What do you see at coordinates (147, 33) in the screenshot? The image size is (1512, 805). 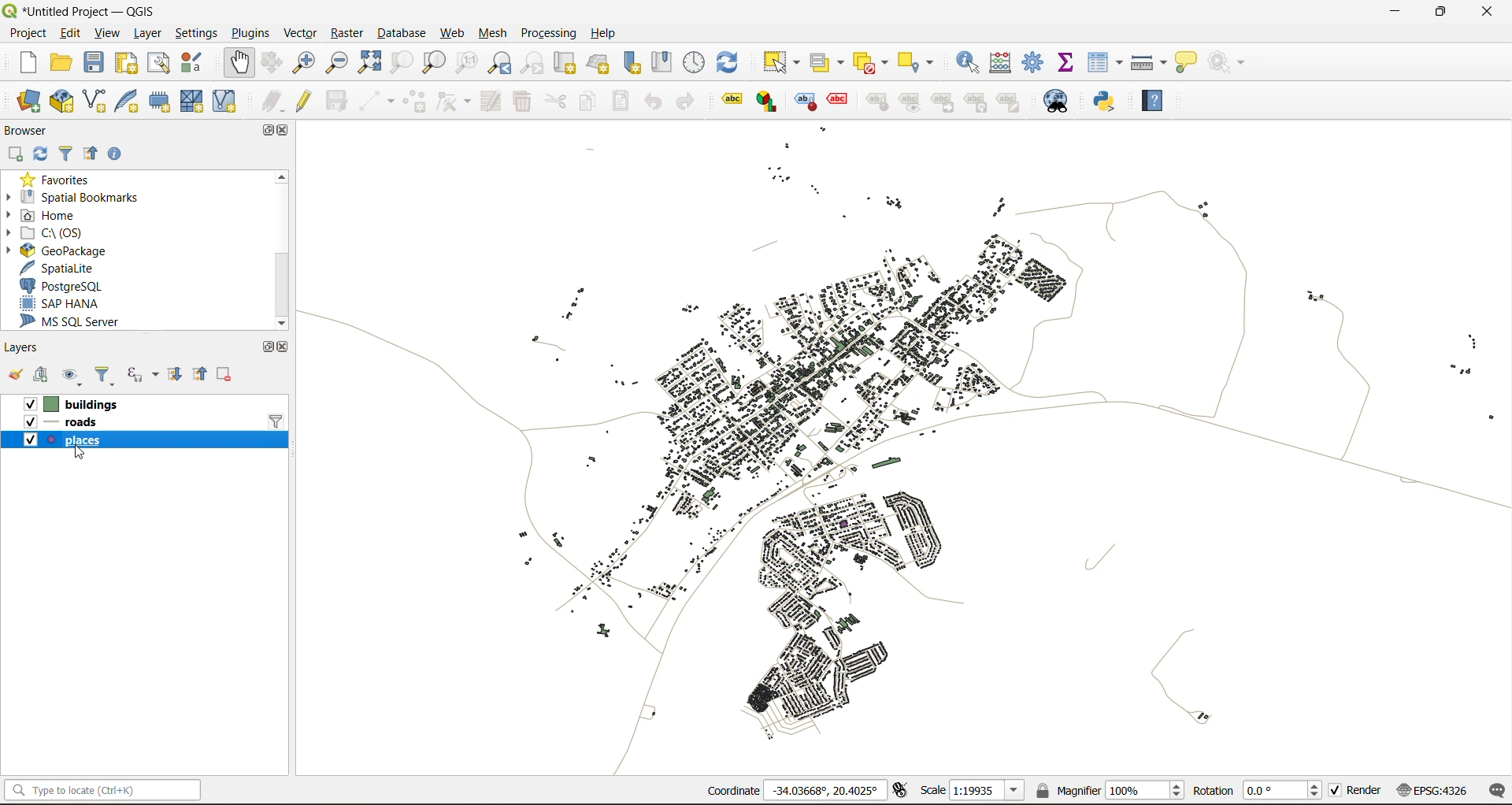 I see `layer` at bounding box center [147, 33].